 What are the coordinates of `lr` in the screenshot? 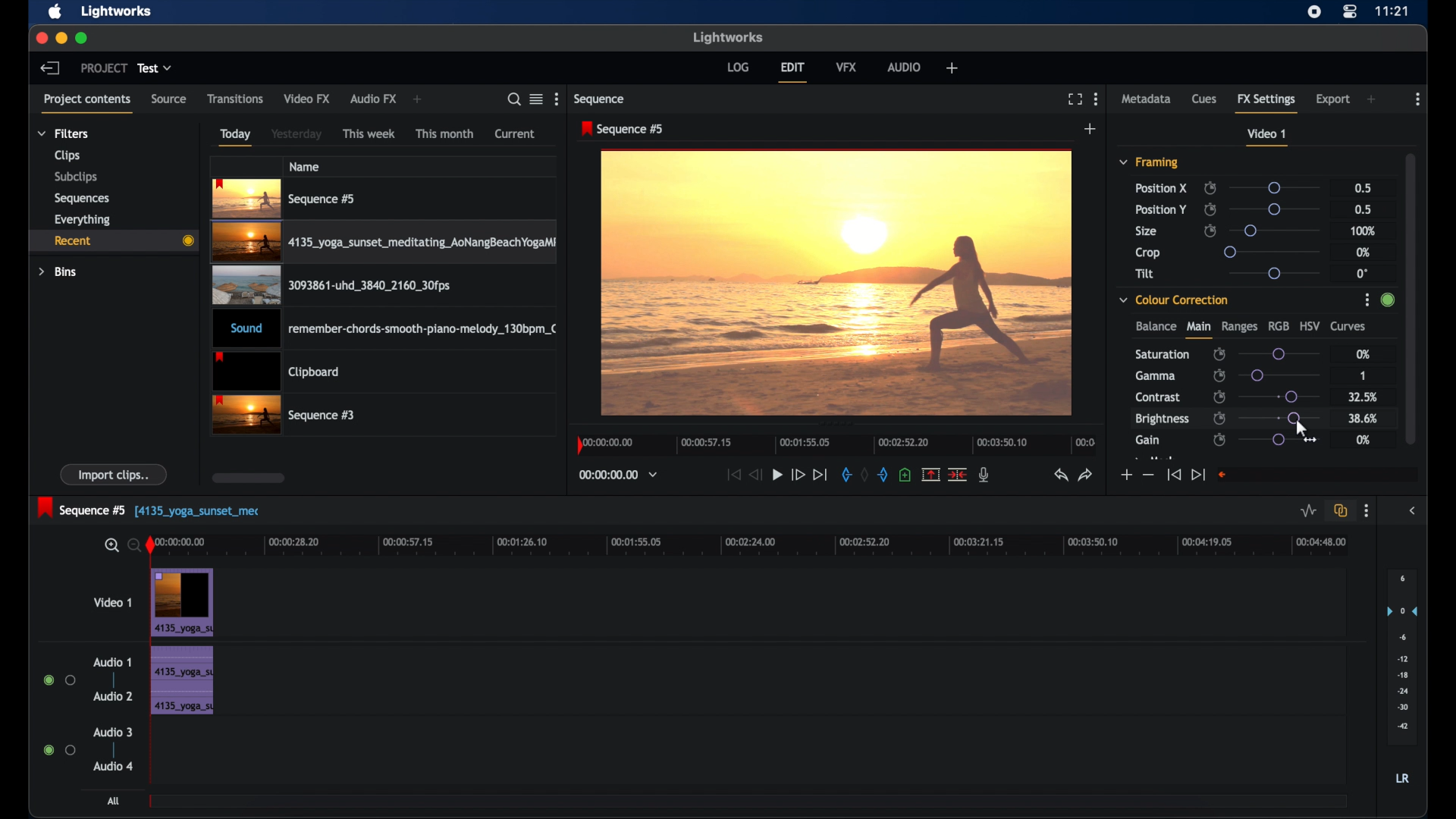 It's located at (1402, 778).